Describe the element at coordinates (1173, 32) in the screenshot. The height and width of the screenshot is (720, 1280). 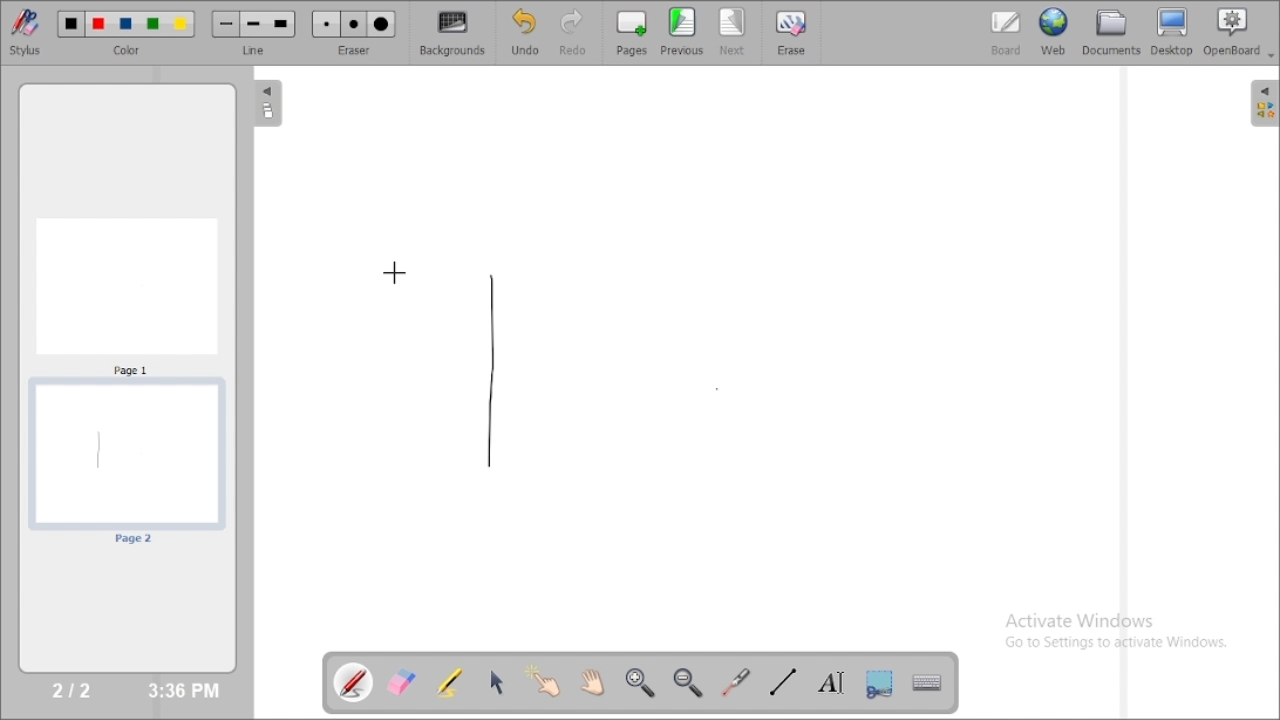
I see `desktop` at that location.